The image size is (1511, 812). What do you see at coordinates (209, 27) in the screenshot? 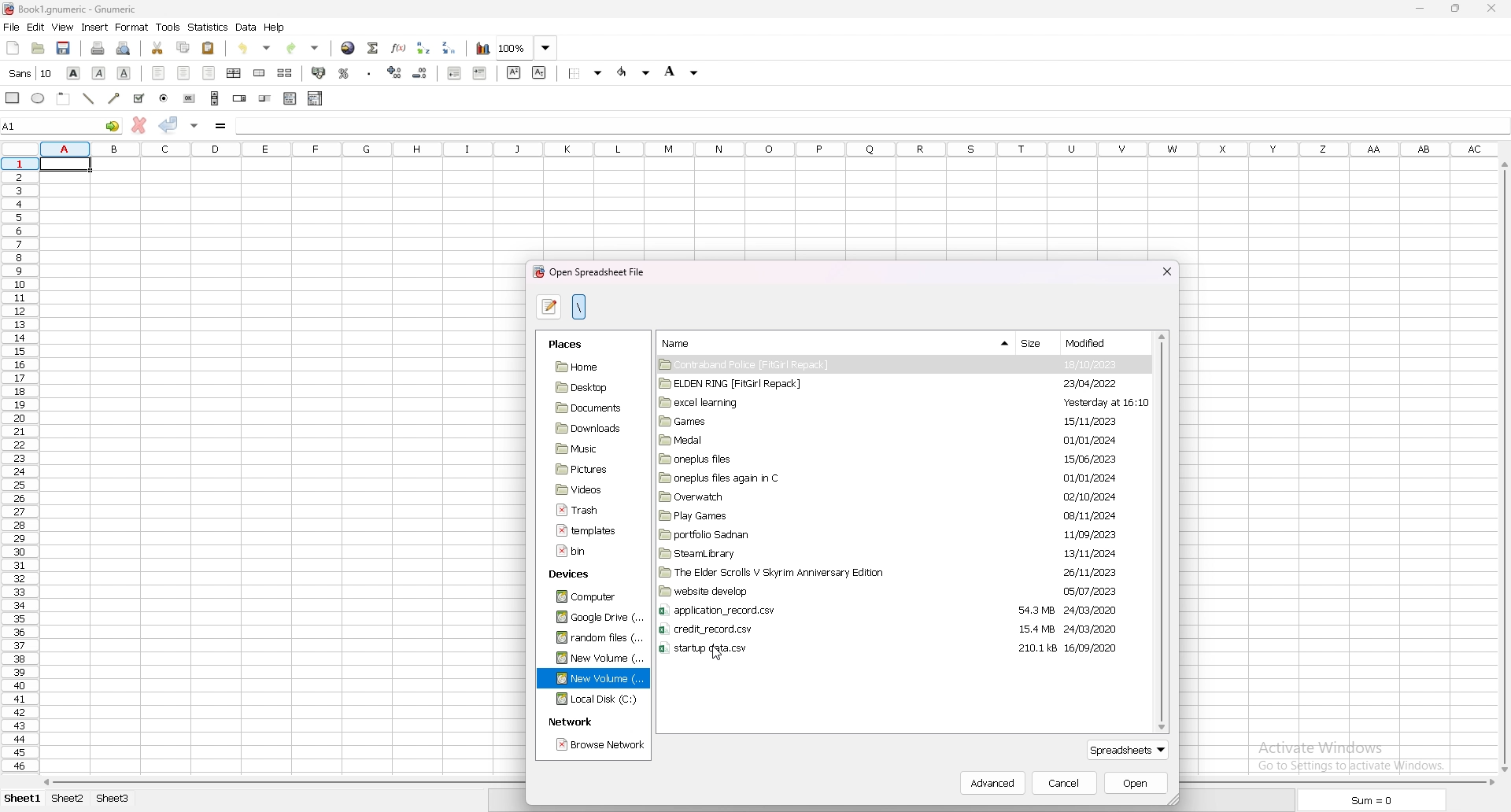
I see `statistics` at bounding box center [209, 27].